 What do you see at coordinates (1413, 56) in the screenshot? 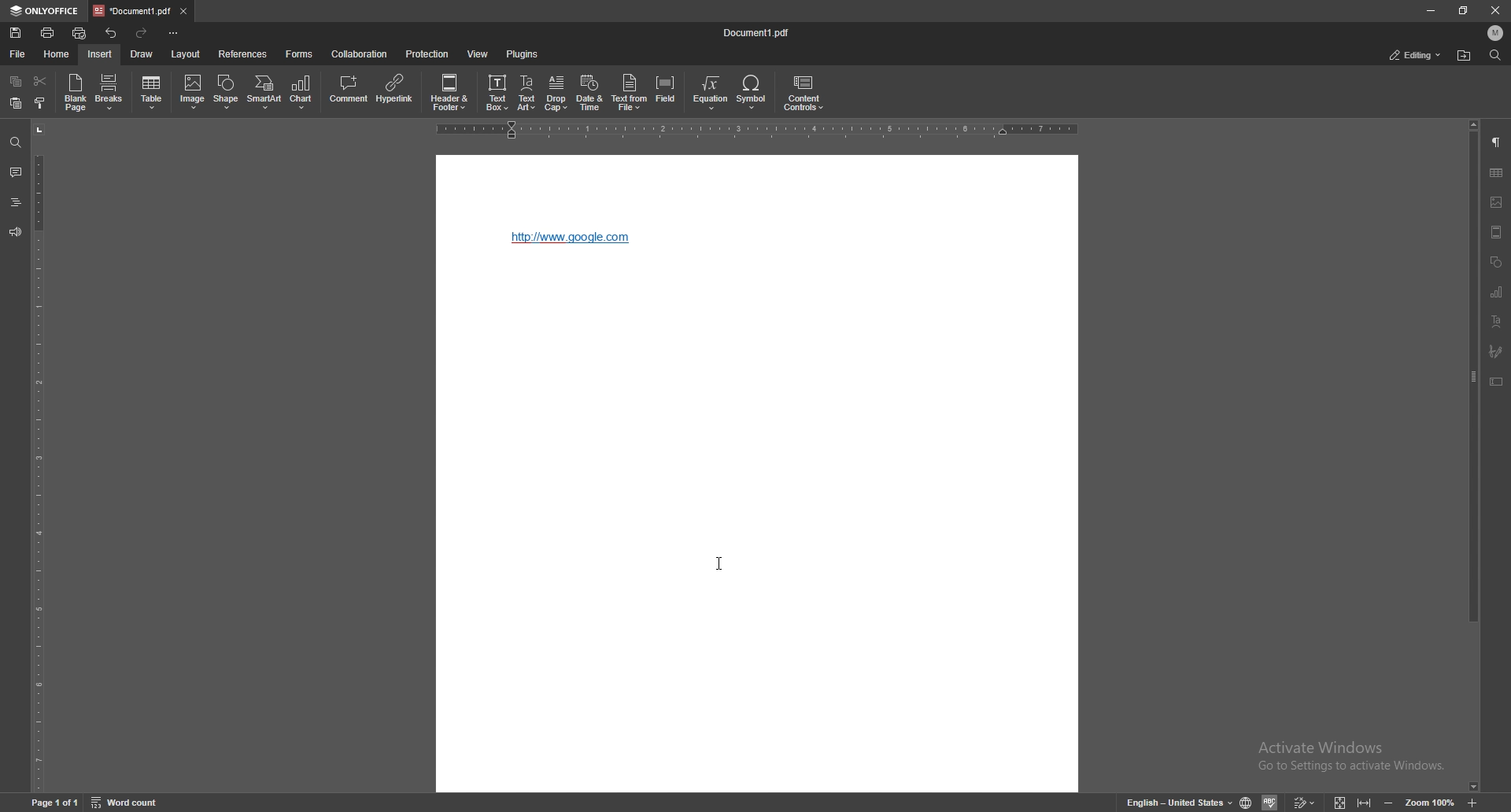
I see `editing` at bounding box center [1413, 56].